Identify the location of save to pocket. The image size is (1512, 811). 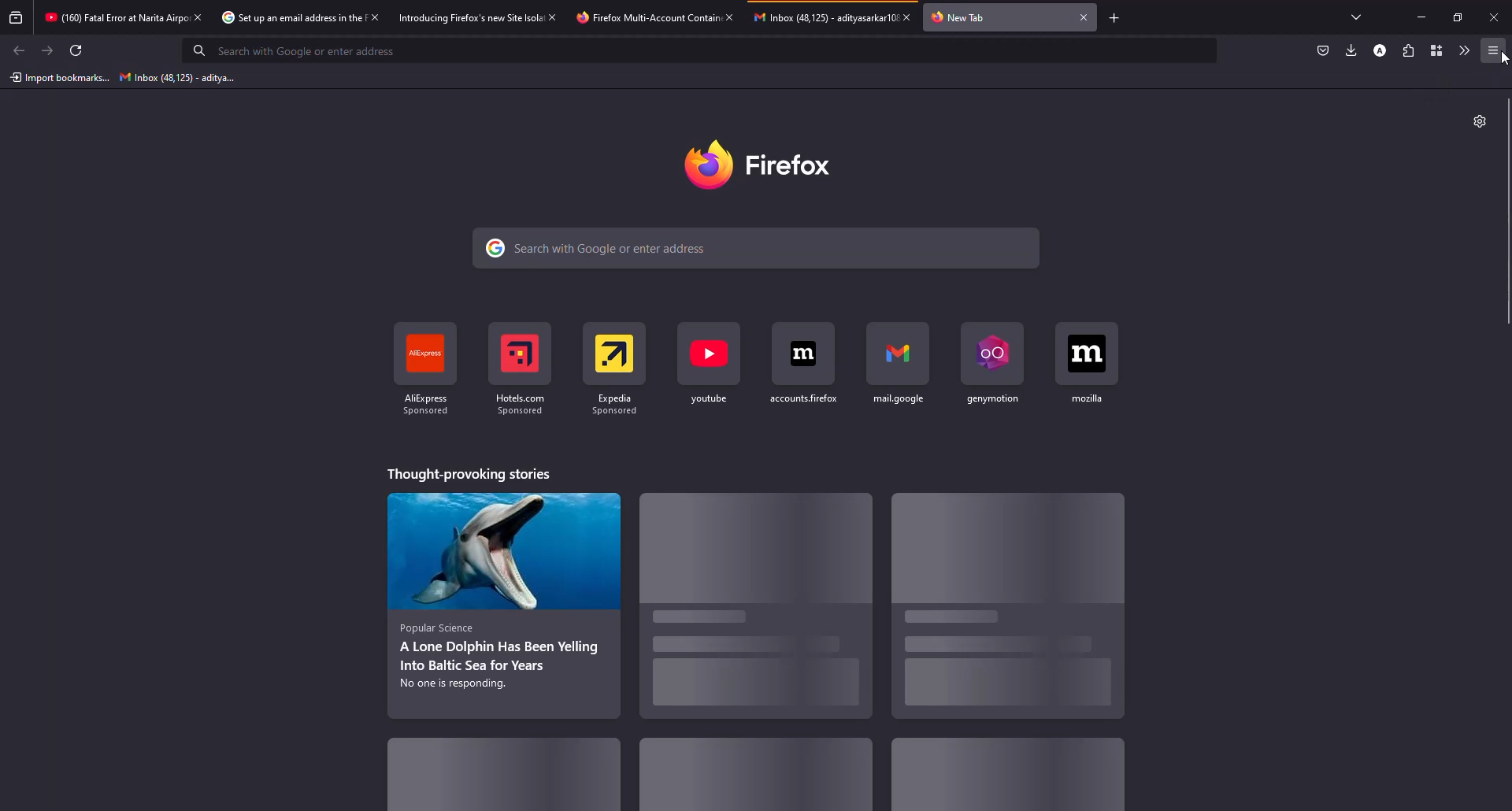
(1323, 50).